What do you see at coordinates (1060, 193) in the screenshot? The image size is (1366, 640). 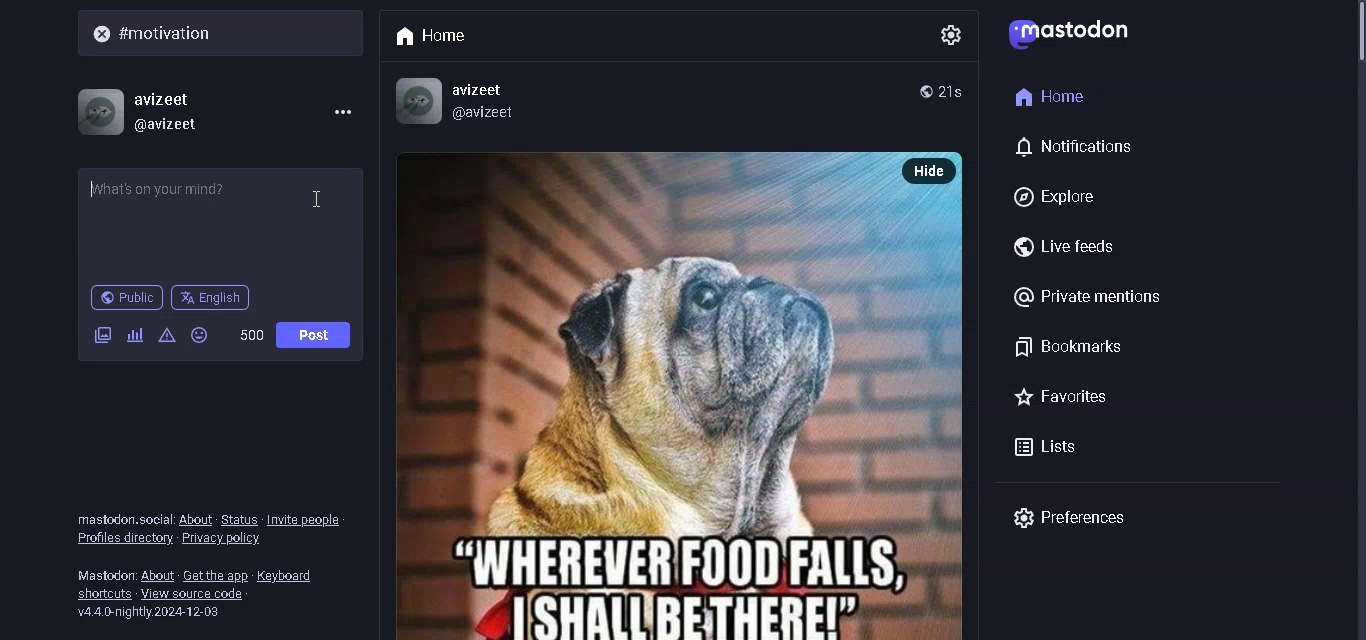 I see `explore` at bounding box center [1060, 193].